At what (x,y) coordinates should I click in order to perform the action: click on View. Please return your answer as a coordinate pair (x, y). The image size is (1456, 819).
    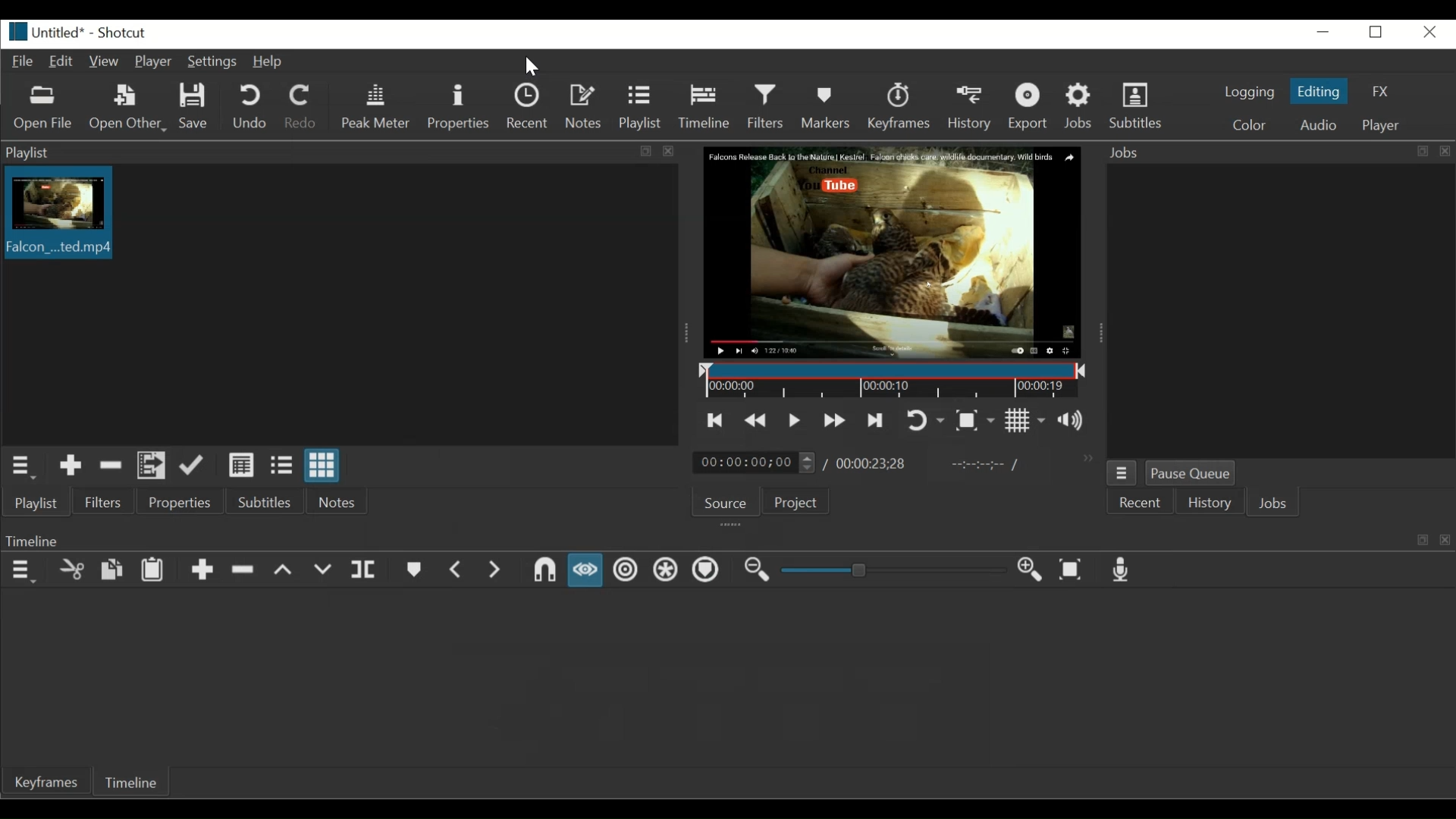
    Looking at the image, I should click on (104, 63).